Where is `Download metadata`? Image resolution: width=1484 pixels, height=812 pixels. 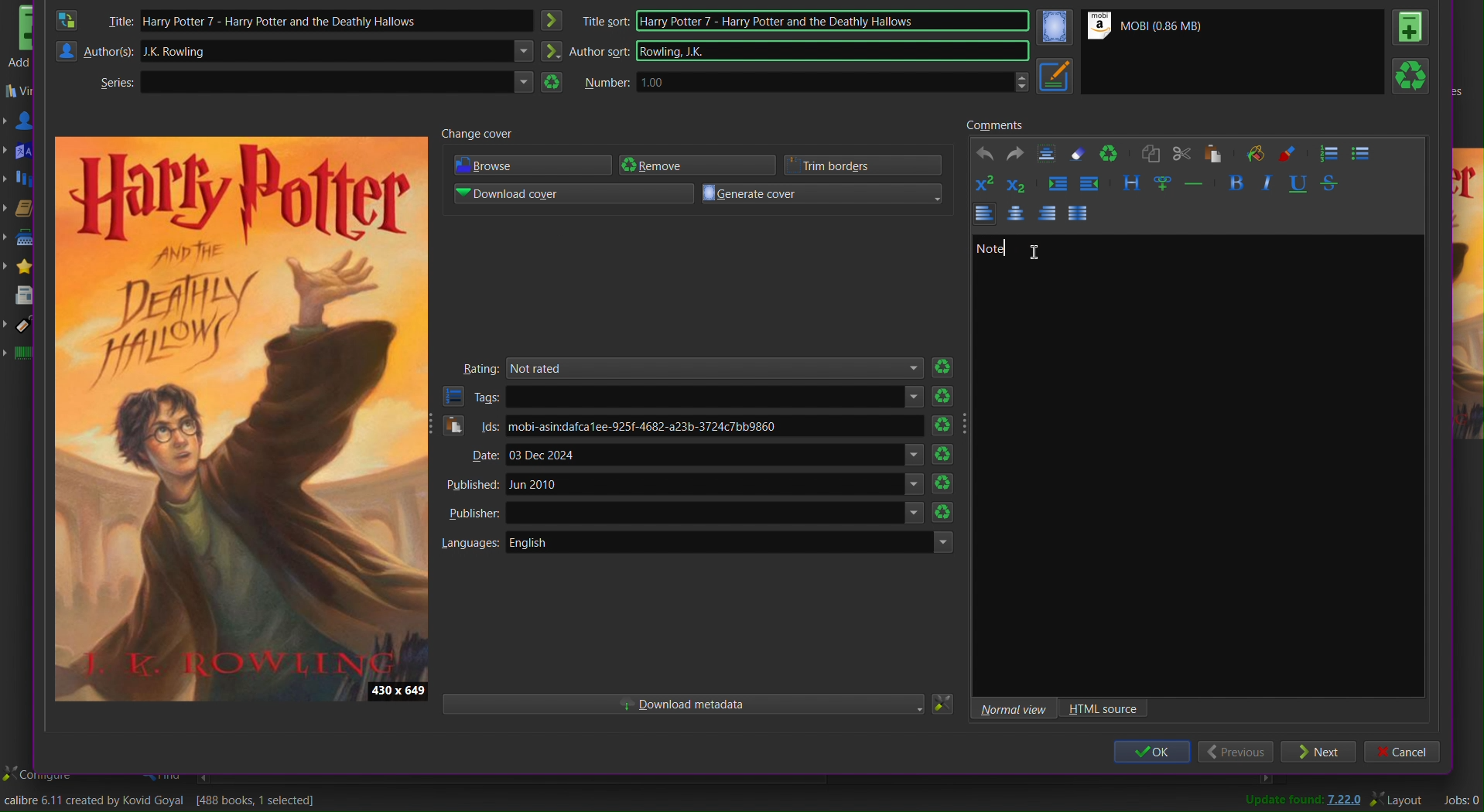
Download metadata is located at coordinates (680, 705).